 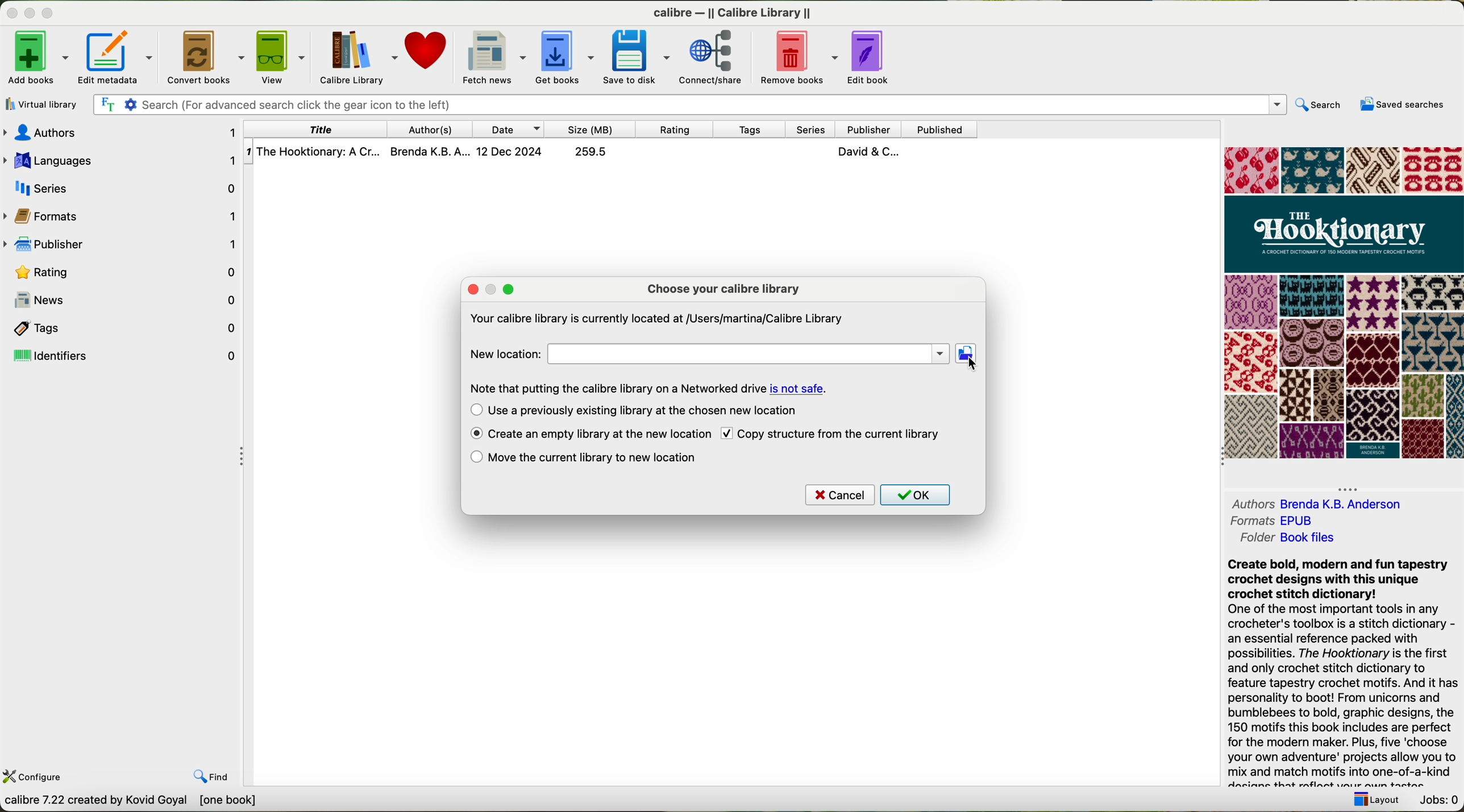 What do you see at coordinates (204, 56) in the screenshot?
I see `convert books` at bounding box center [204, 56].